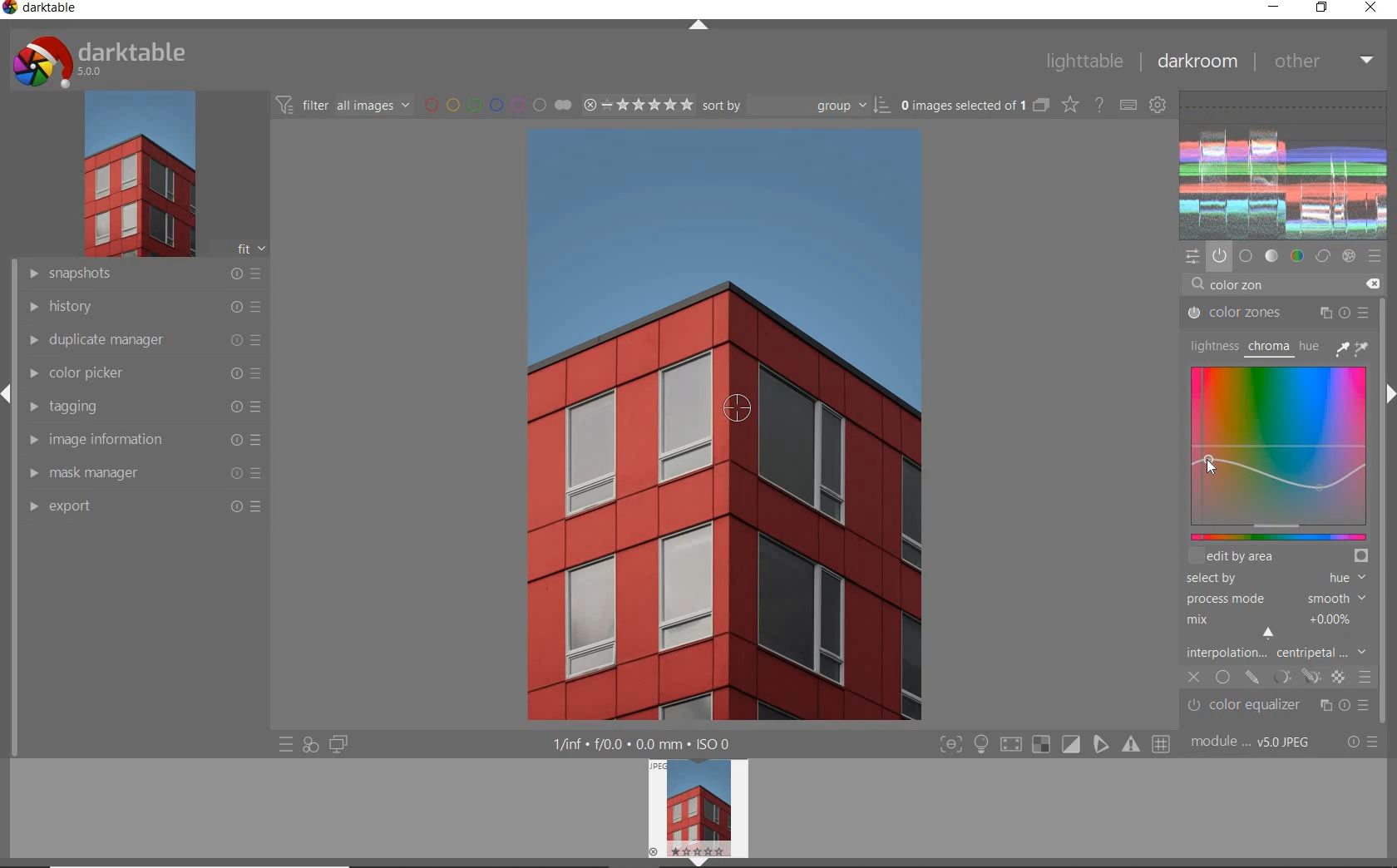 Image resolution: width=1397 pixels, height=868 pixels. What do you see at coordinates (141, 407) in the screenshot?
I see `tagging` at bounding box center [141, 407].